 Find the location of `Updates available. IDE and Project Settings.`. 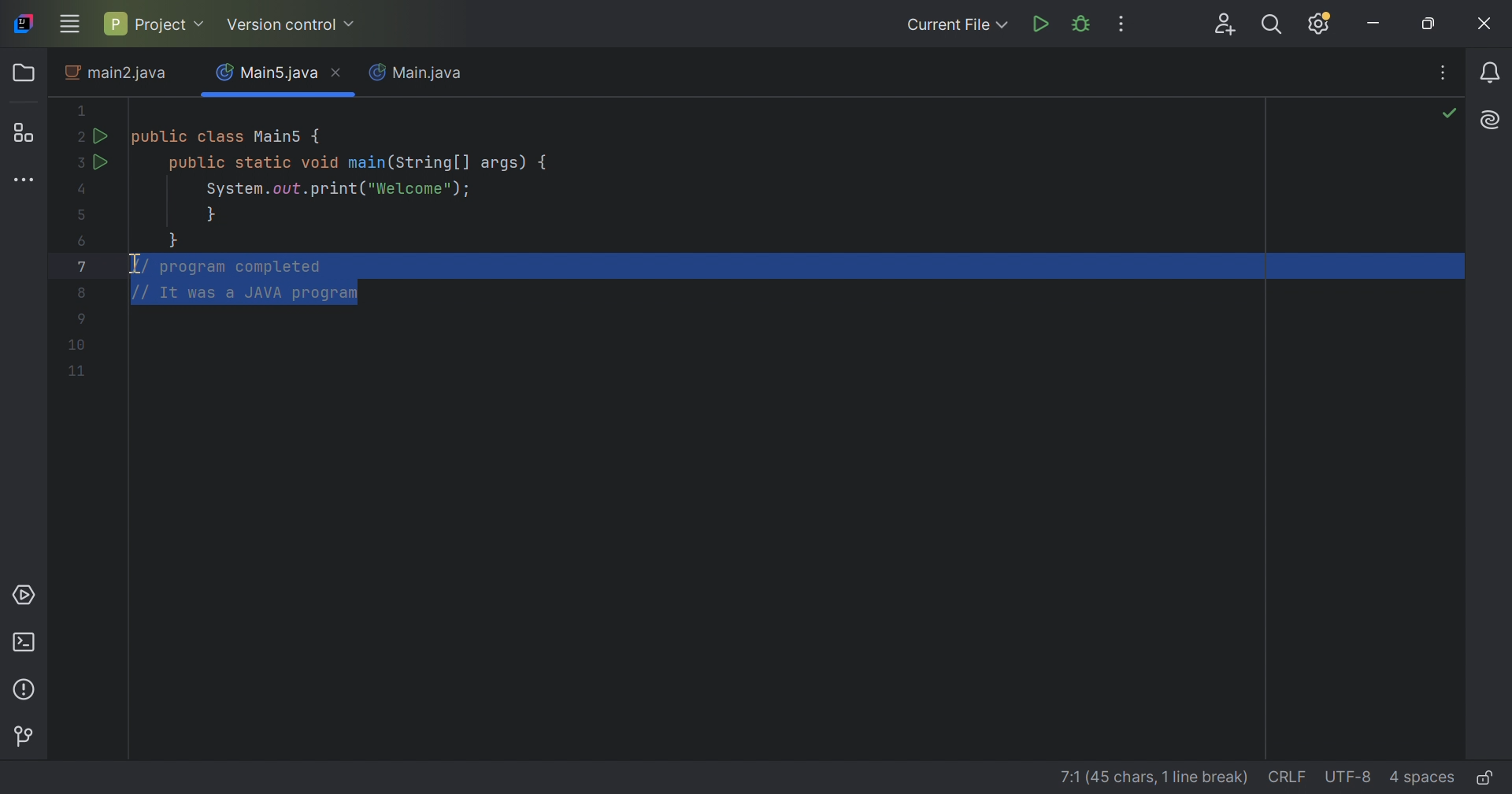

Updates available. IDE and Project Settings. is located at coordinates (1322, 24).